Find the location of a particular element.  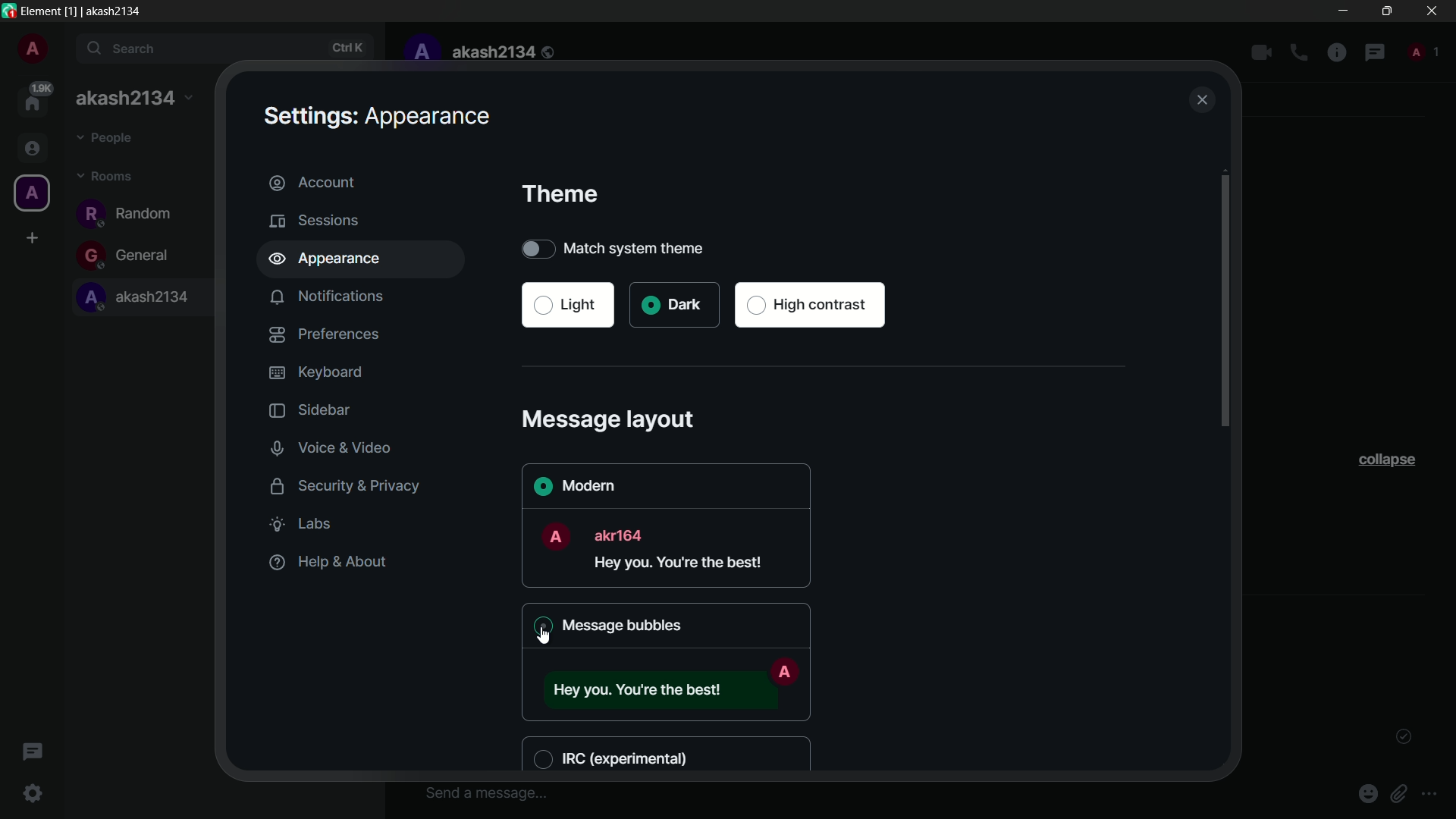

theme is located at coordinates (560, 194).